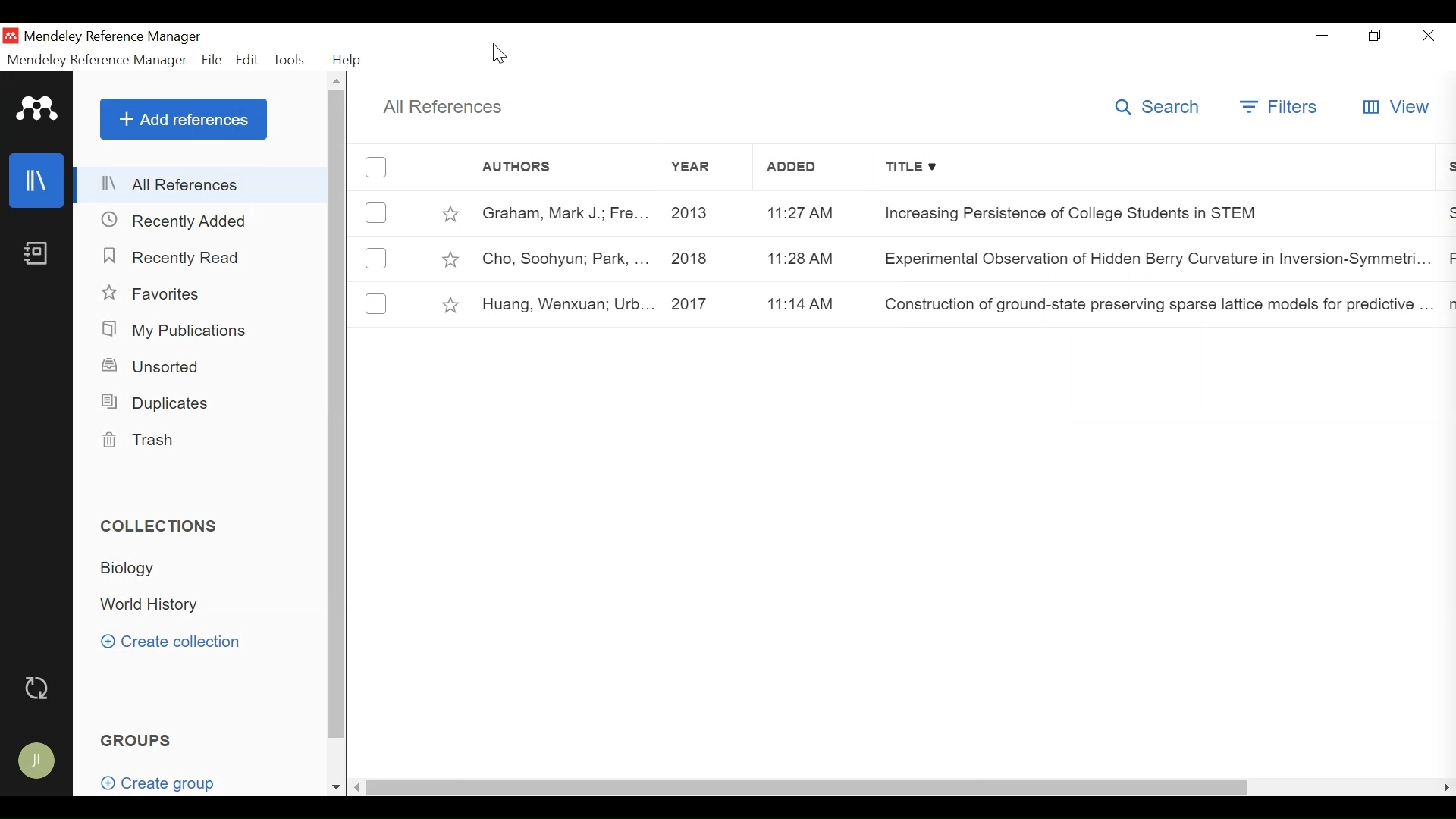 This screenshot has width=1456, height=819. Describe the element at coordinates (38, 254) in the screenshot. I see `Notebook` at that location.